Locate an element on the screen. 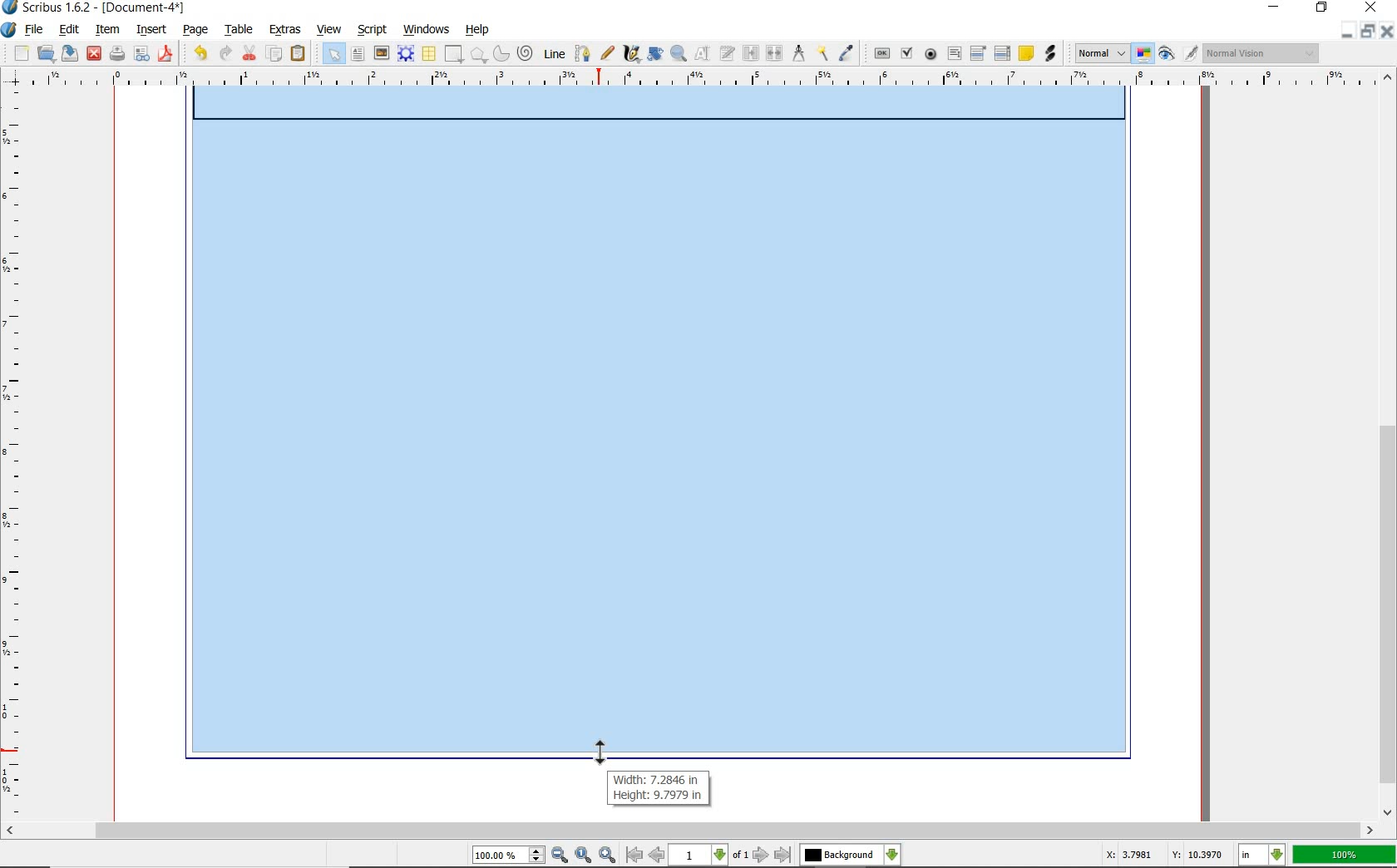 The image size is (1397, 868). Width: 7.2846 in Height: 9.7979 in is located at coordinates (656, 788).